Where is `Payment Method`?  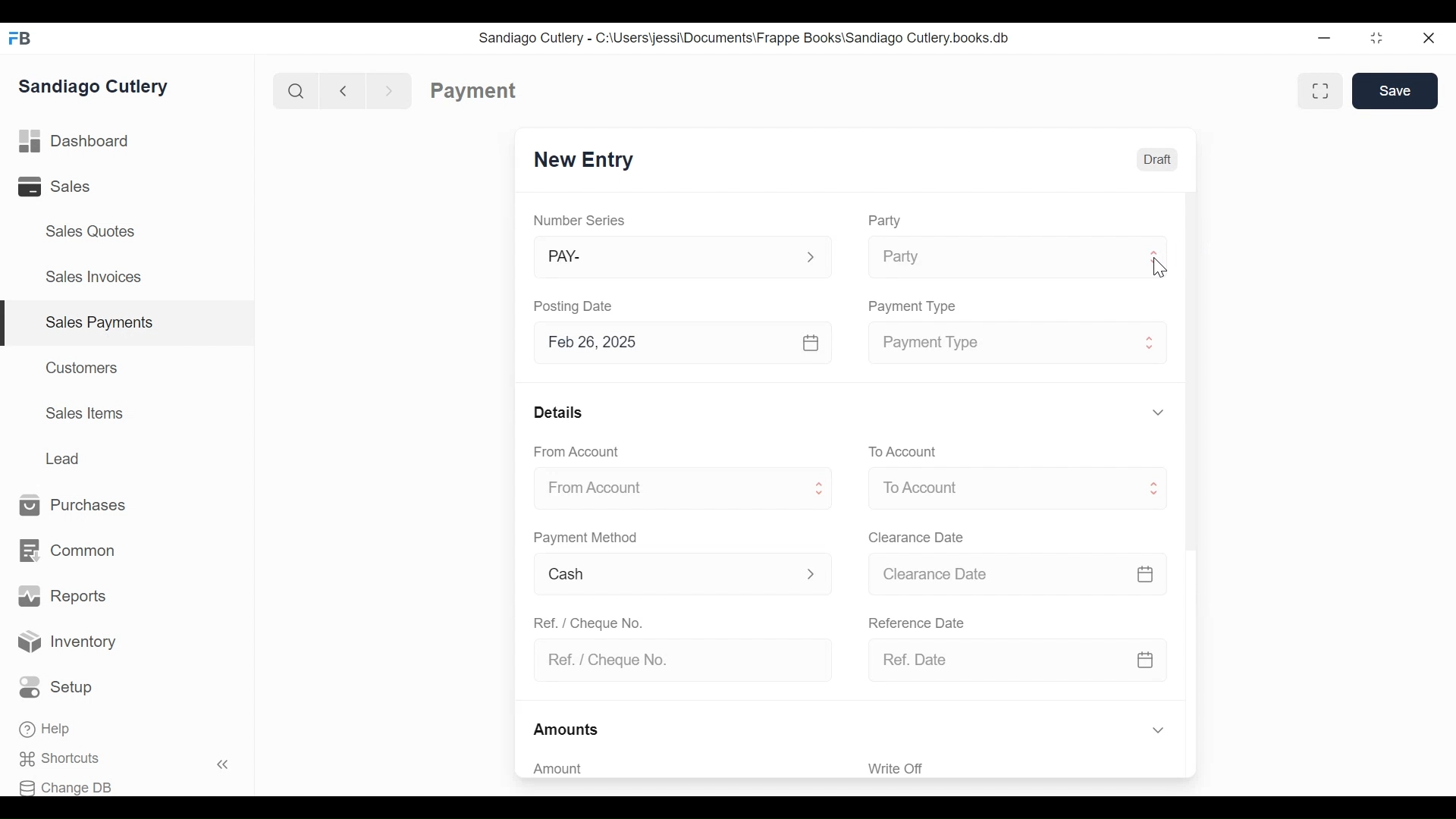
Payment Method is located at coordinates (585, 538).